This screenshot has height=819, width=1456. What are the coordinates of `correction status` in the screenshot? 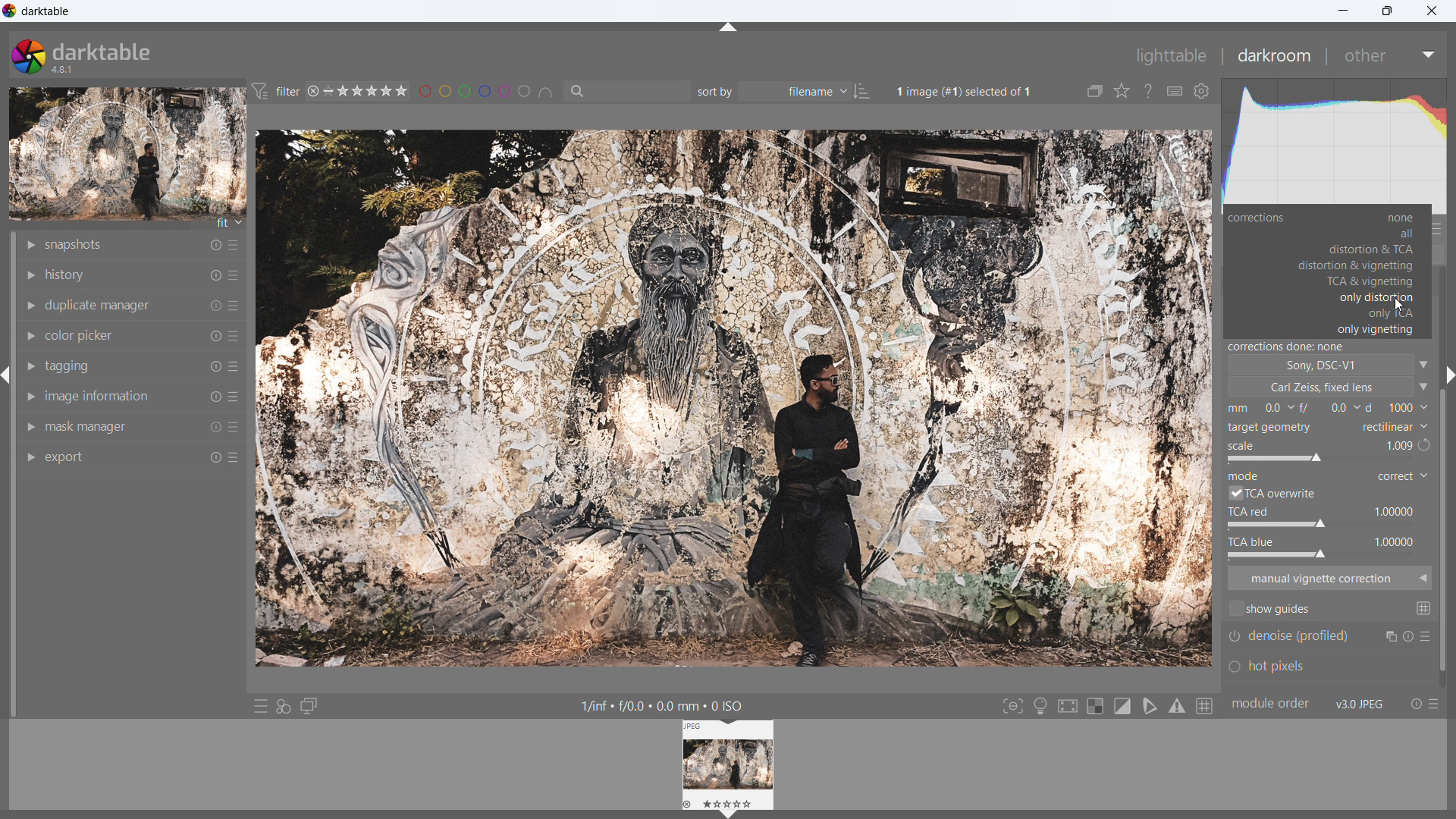 It's located at (1327, 347).